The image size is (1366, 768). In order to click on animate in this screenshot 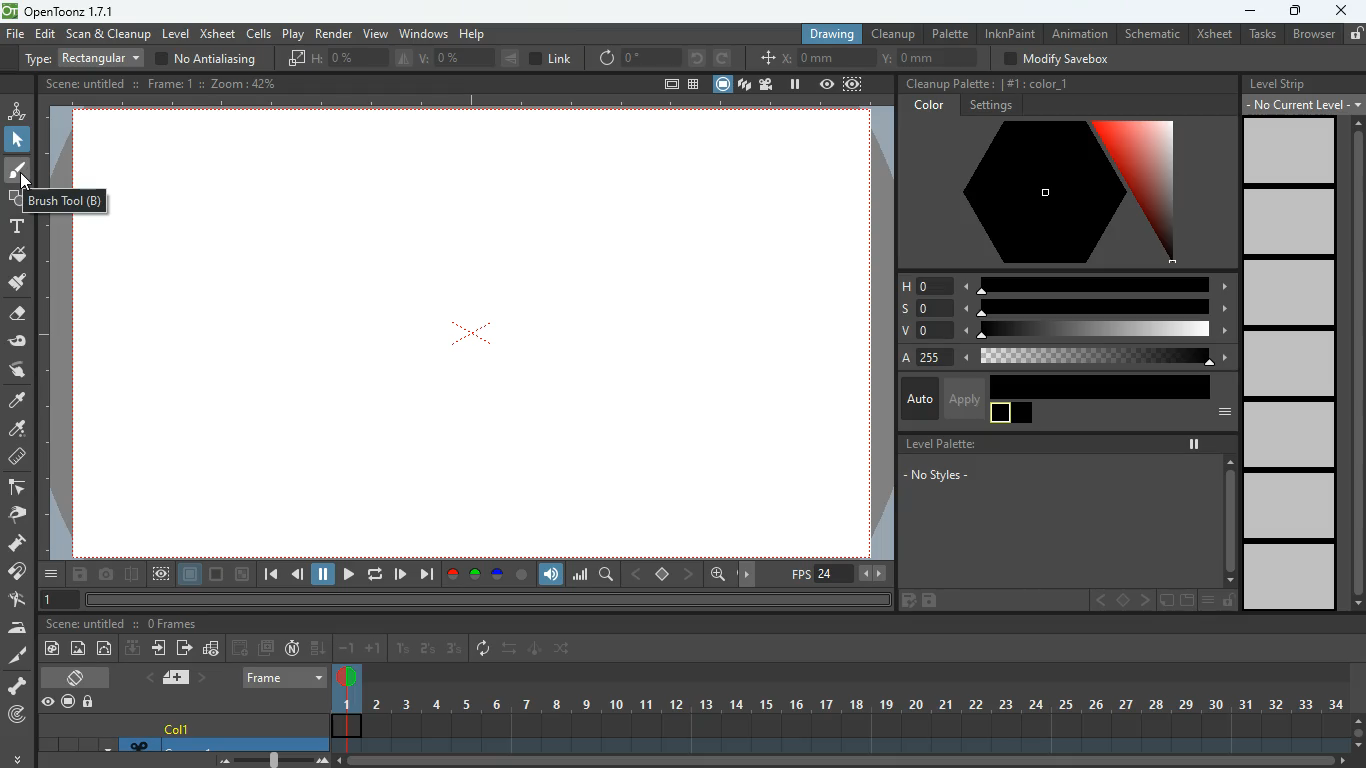, I will do `click(17, 110)`.